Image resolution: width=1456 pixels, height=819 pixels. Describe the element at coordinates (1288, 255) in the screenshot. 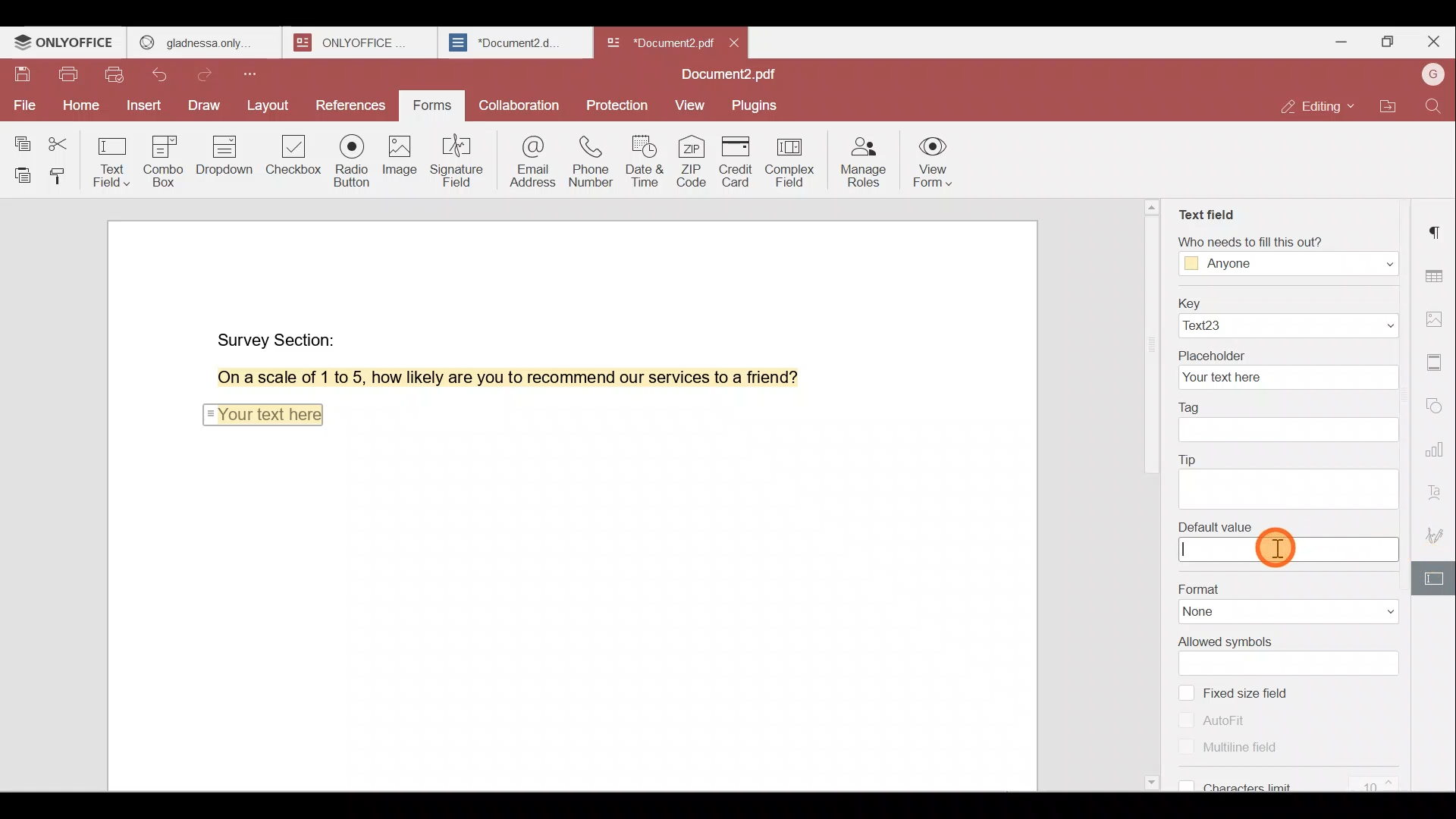

I see `Who needs to fill this out?` at that location.